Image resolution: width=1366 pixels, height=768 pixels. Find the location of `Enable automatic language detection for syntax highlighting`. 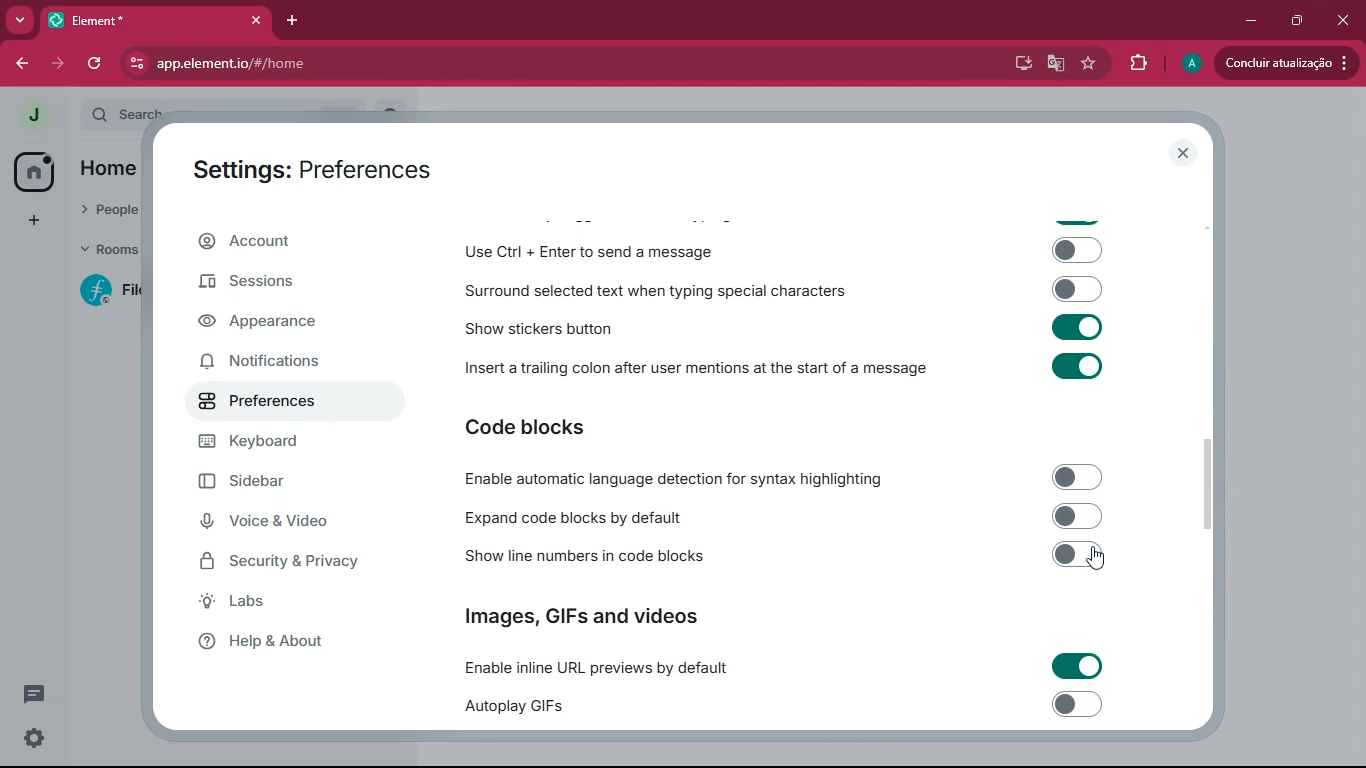

Enable automatic language detection for syntax highlighting is located at coordinates (777, 478).